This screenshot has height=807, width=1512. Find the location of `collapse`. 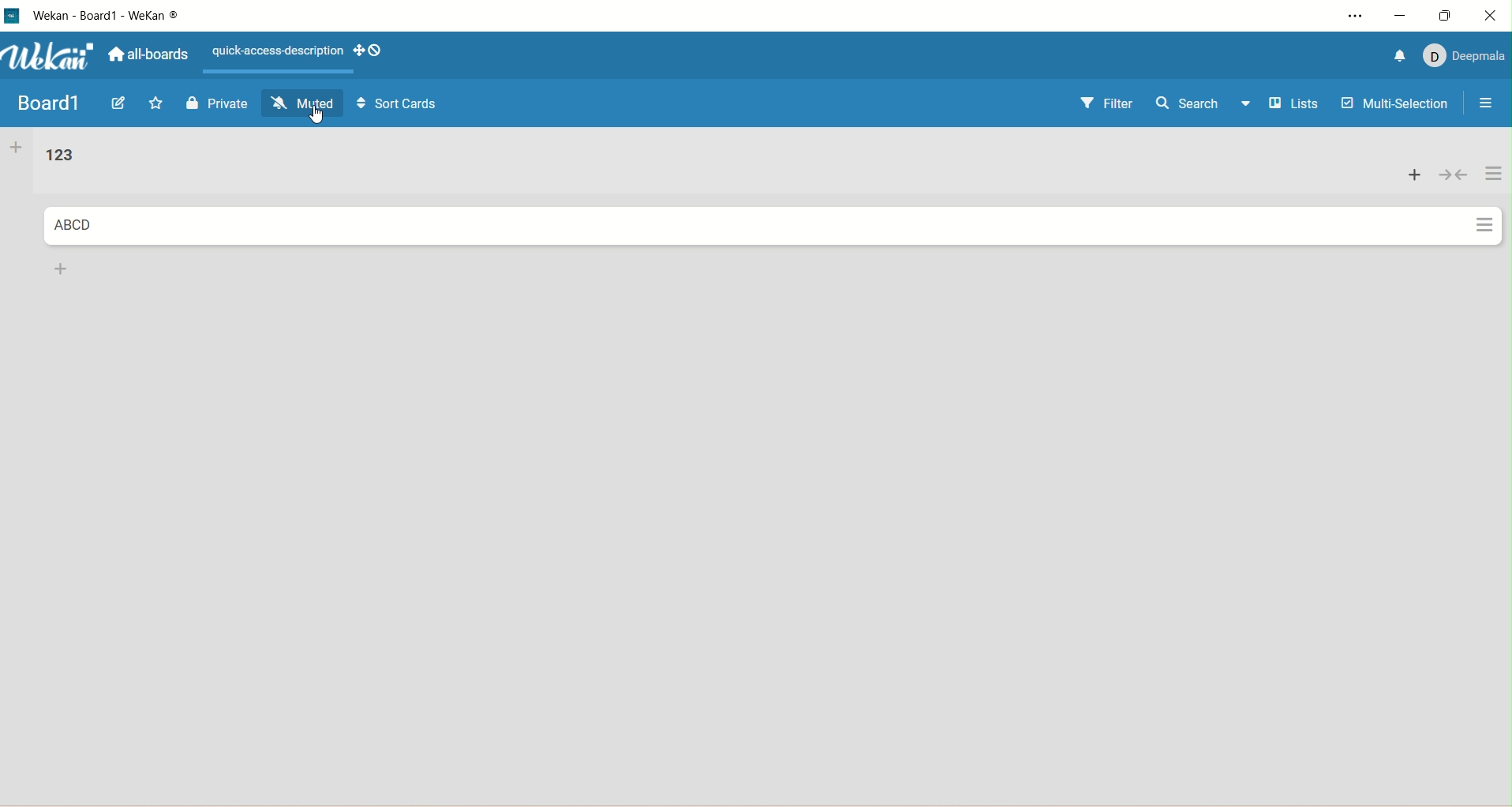

collapse is located at coordinates (1452, 171).